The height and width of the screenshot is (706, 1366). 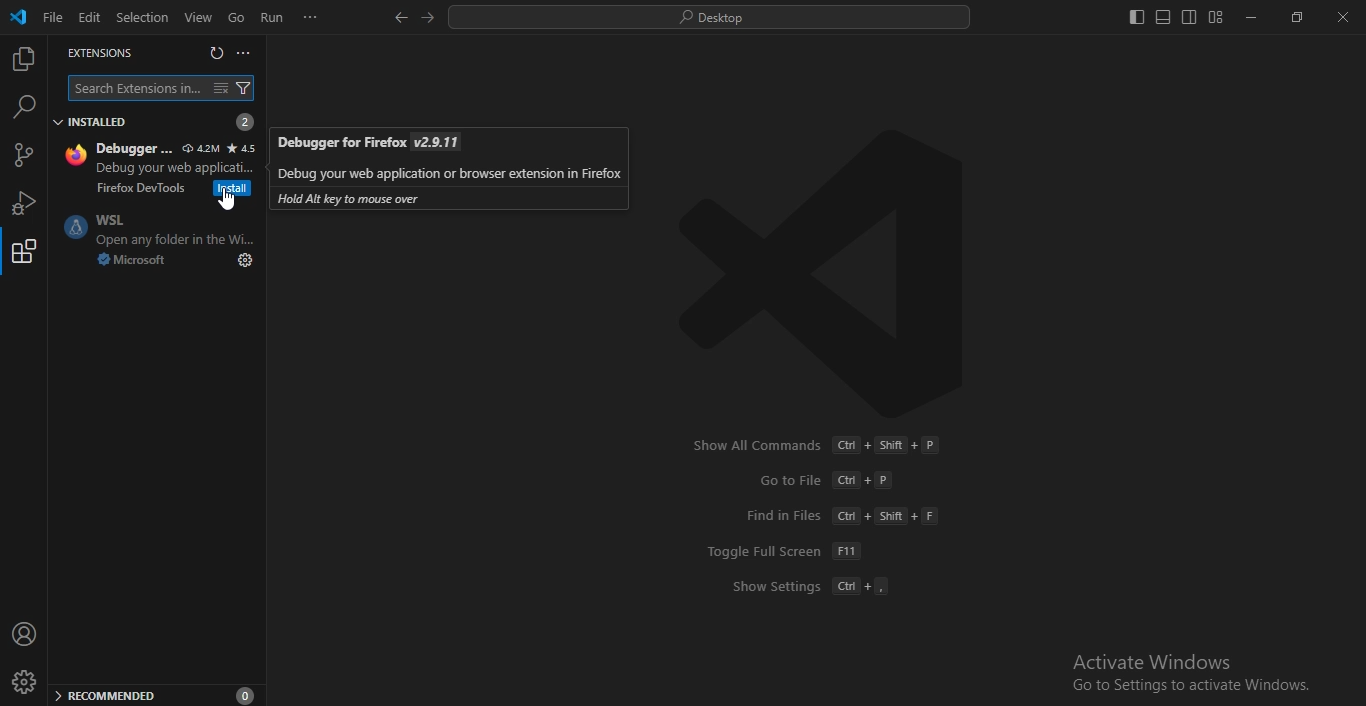 I want to click on file, so click(x=52, y=17).